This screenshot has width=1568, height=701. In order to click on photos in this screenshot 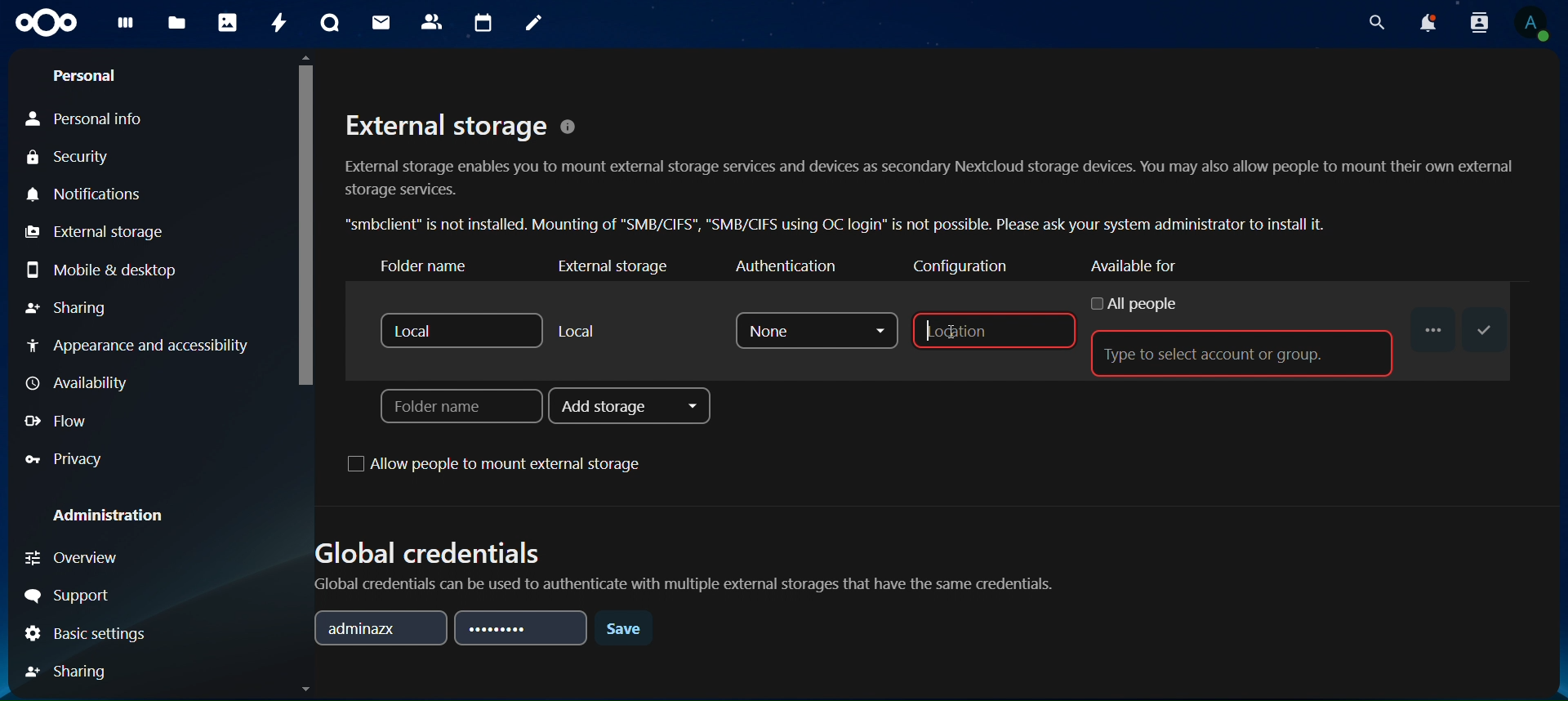, I will do `click(229, 23)`.